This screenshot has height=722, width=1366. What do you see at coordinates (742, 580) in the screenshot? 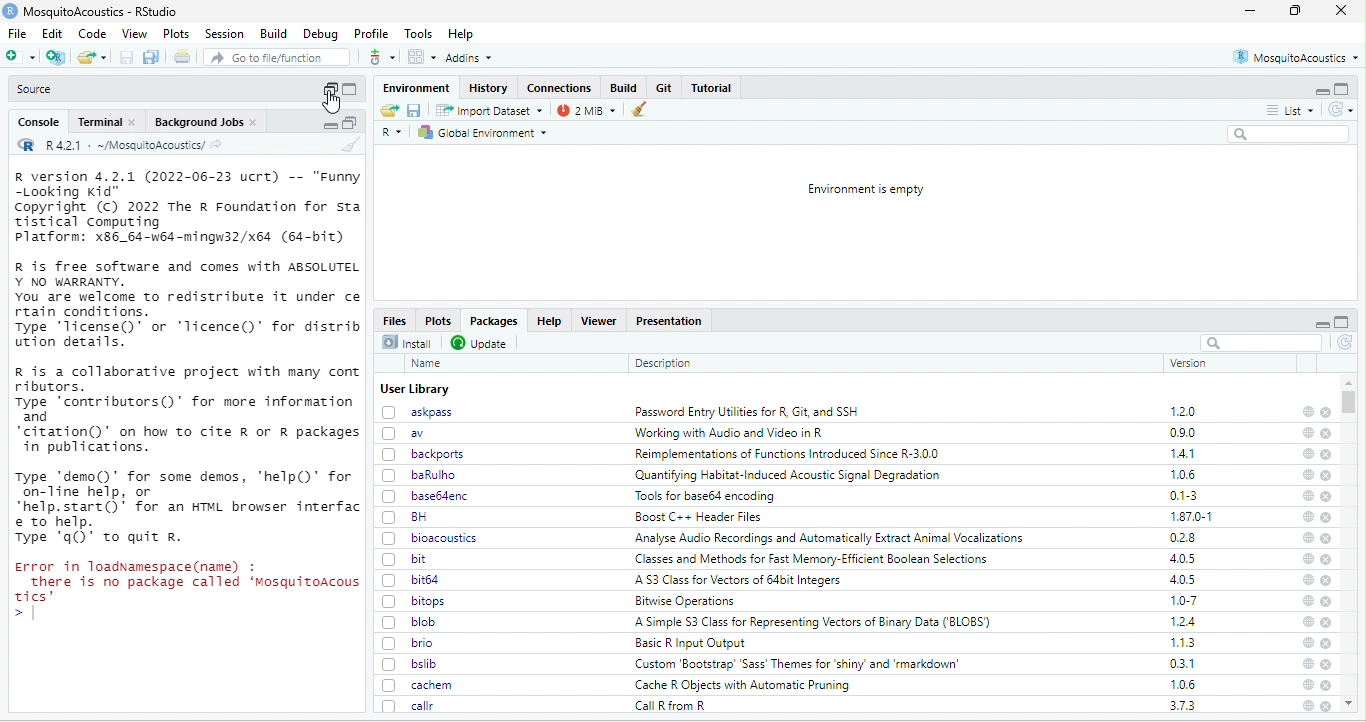
I see `‘A 53 Class for Vectors of 64bit Integers` at bounding box center [742, 580].